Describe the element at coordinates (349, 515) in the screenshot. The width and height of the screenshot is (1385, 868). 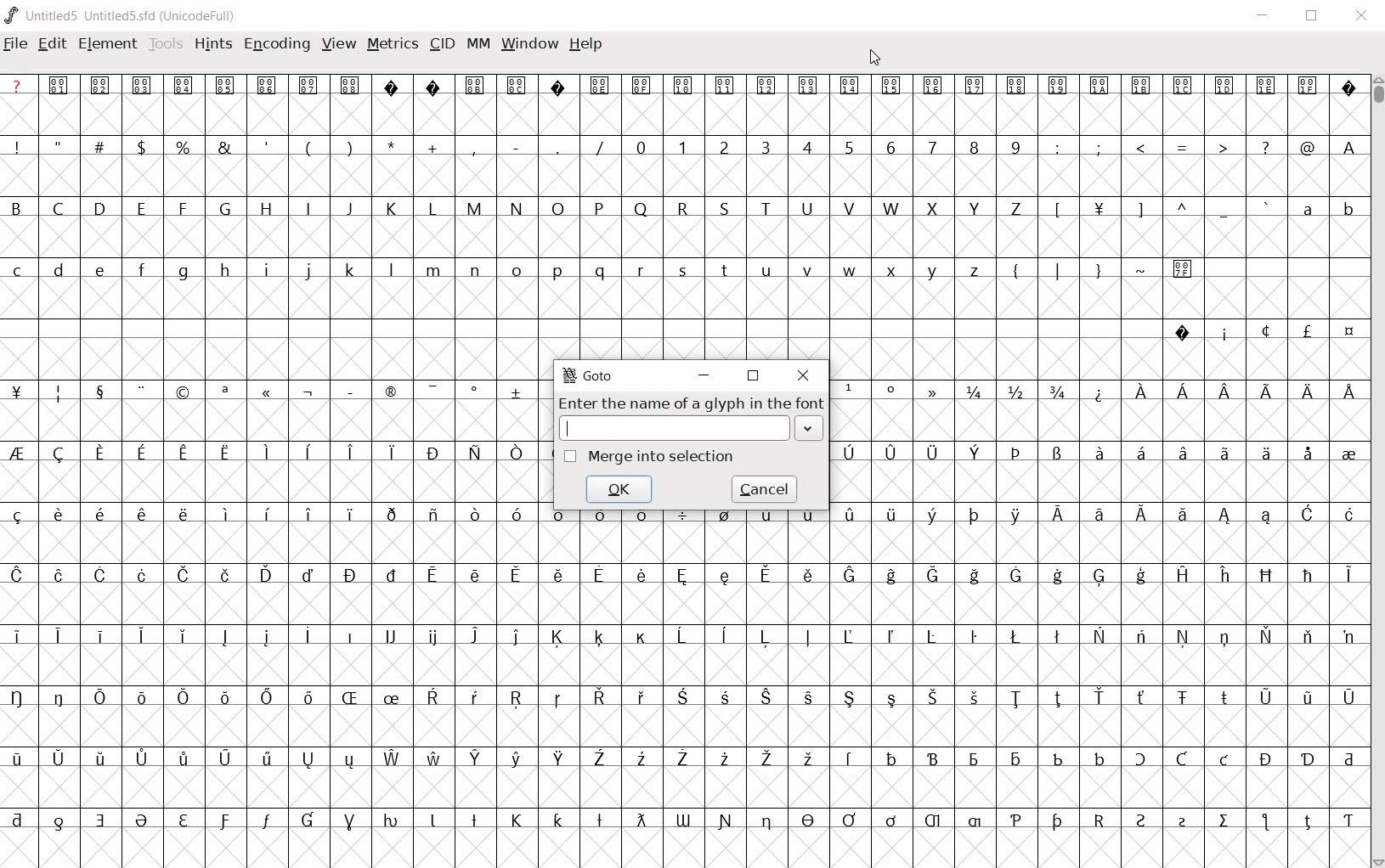
I see `Symbol` at that location.